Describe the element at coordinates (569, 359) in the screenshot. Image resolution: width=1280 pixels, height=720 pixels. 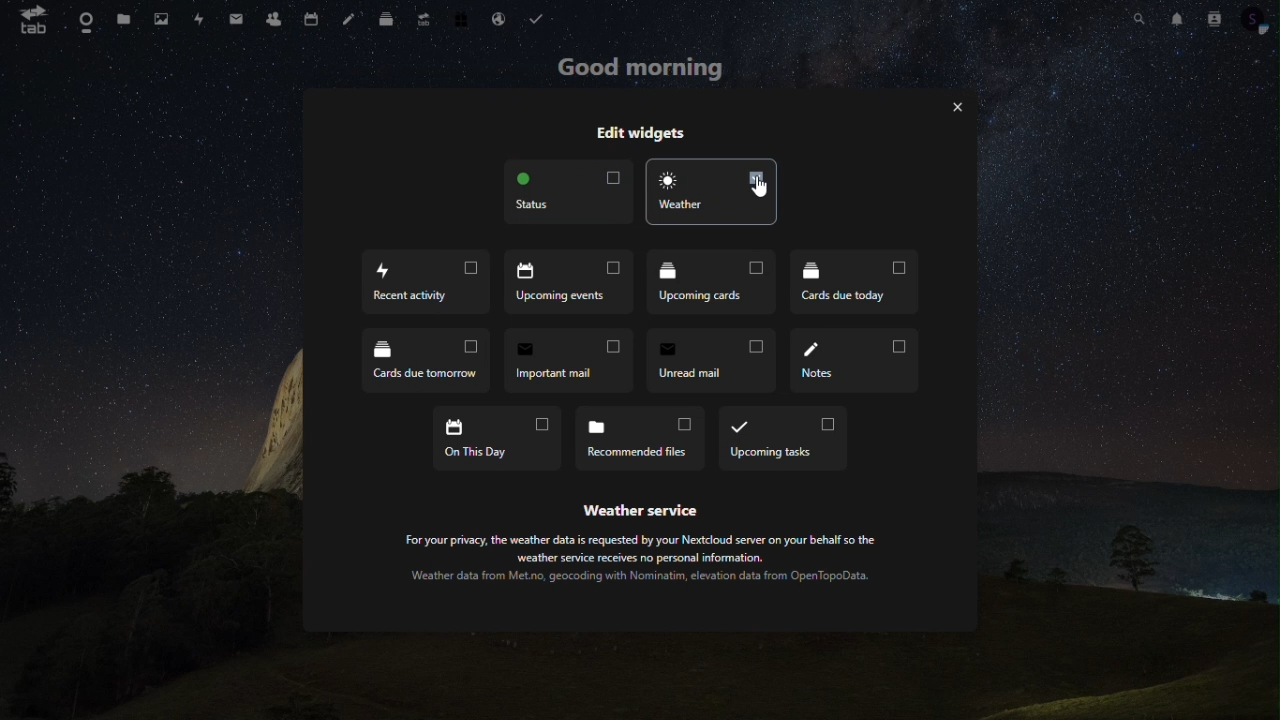
I see `important mail` at that location.